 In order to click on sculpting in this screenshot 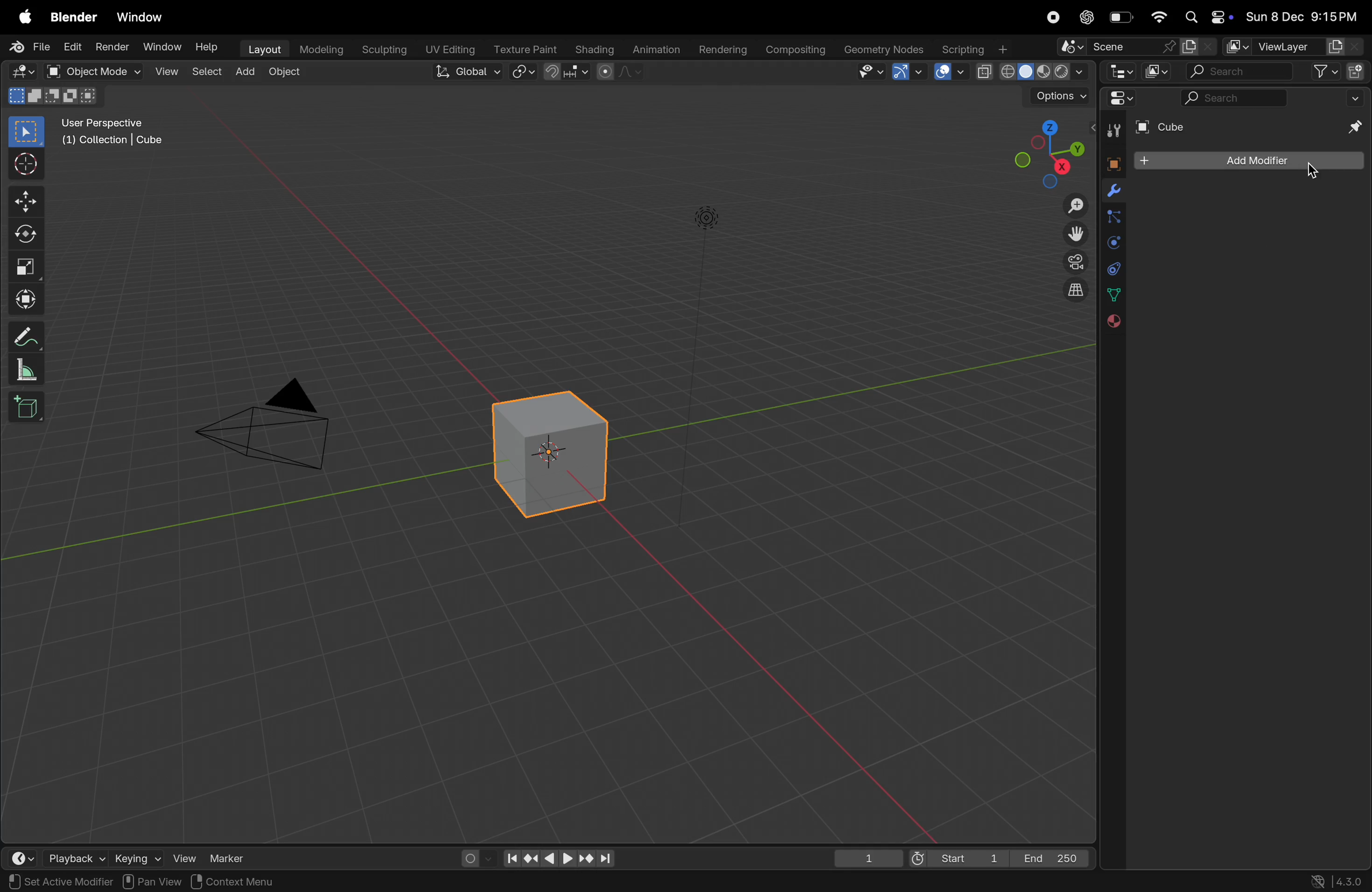, I will do `click(385, 48)`.